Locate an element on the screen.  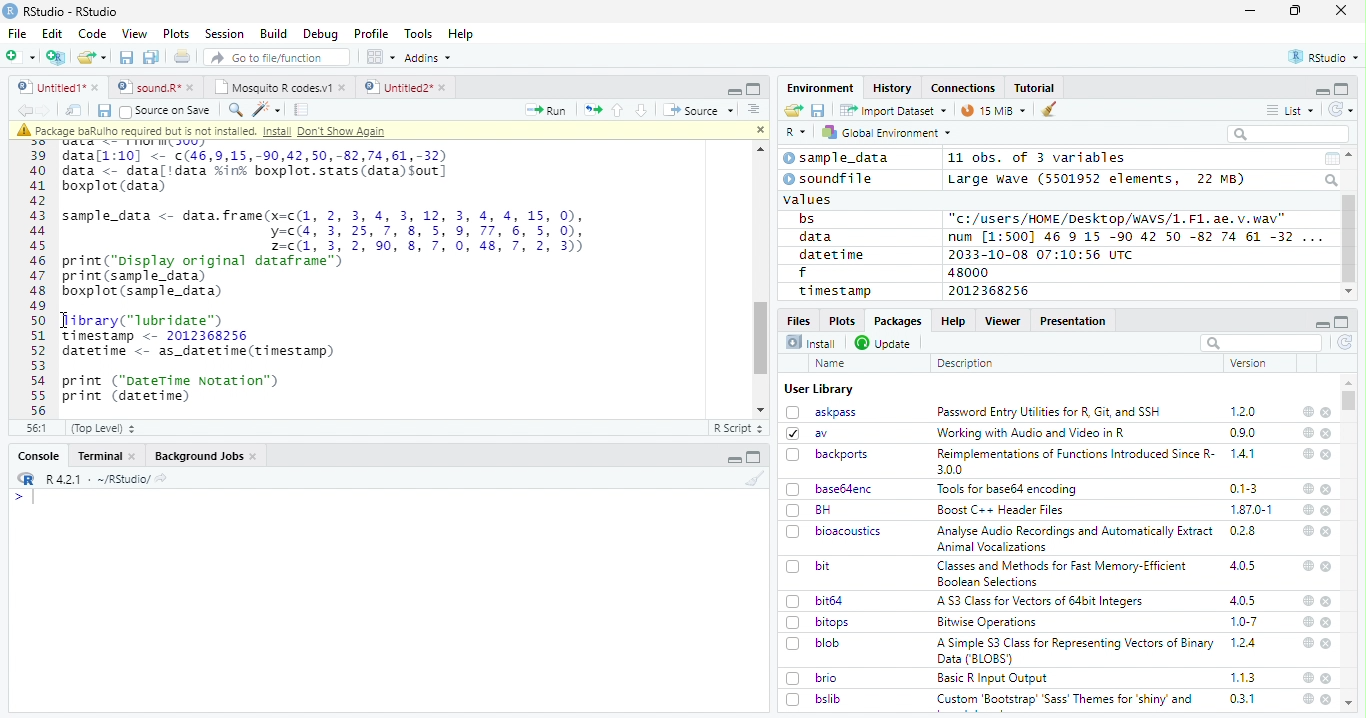
Large wave (5501952 elements, 22 MB) is located at coordinates (1099, 179).